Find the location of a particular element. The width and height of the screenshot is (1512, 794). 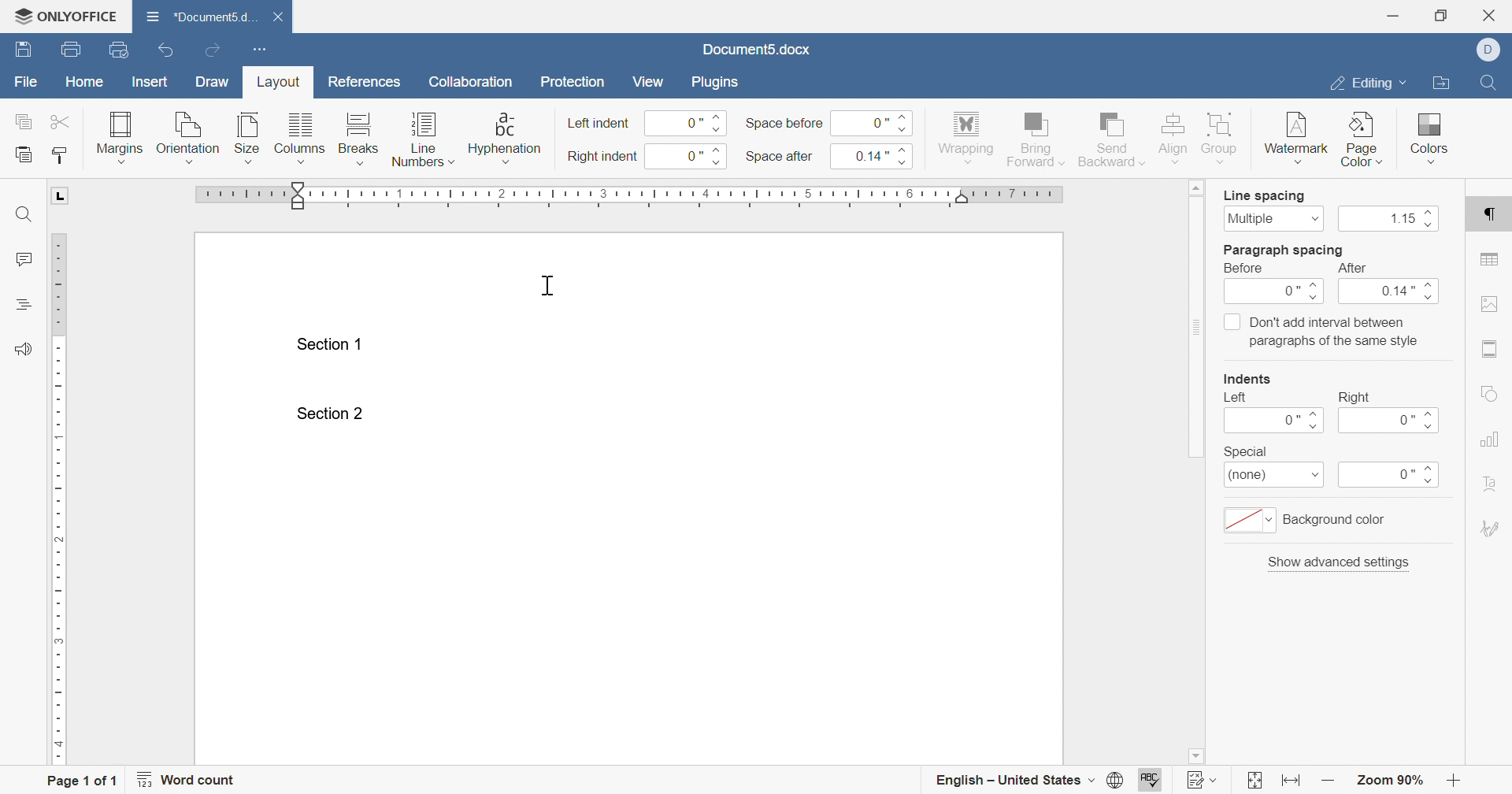

zoom in is located at coordinates (1329, 781).